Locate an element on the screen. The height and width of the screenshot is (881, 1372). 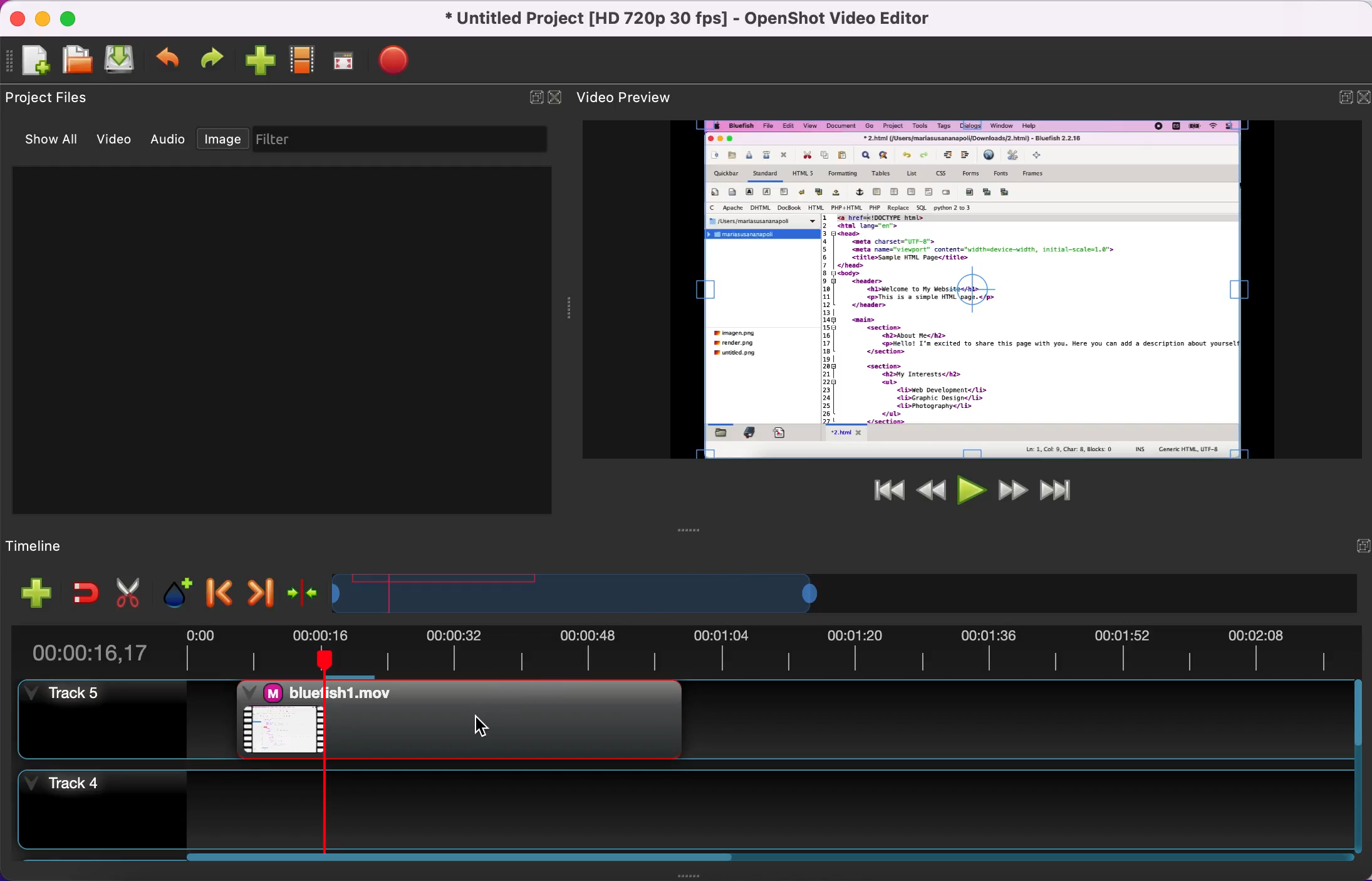
time duration is located at coordinates (697, 647).